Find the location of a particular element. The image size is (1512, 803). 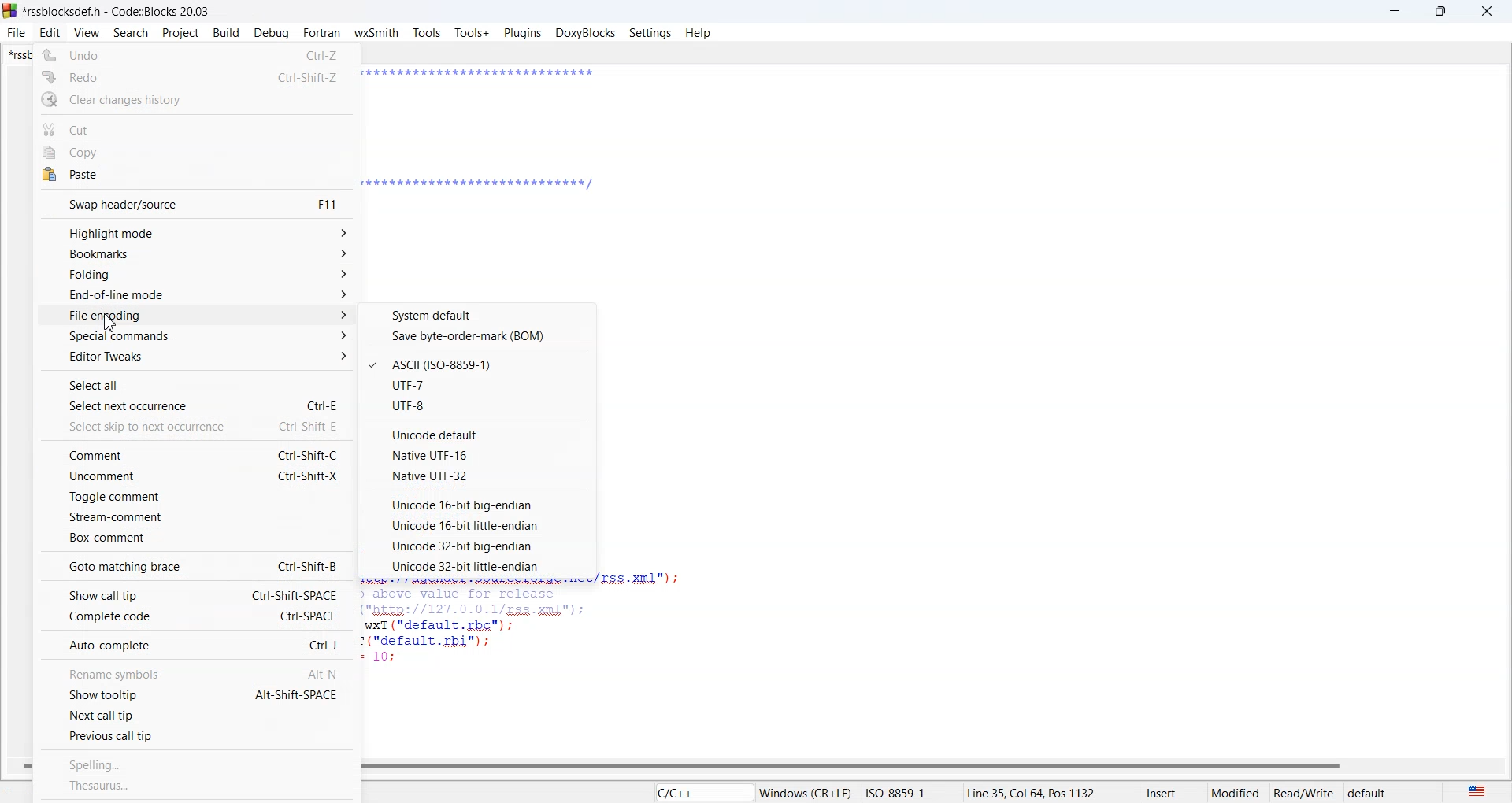

Uncomment is located at coordinates (197, 476).